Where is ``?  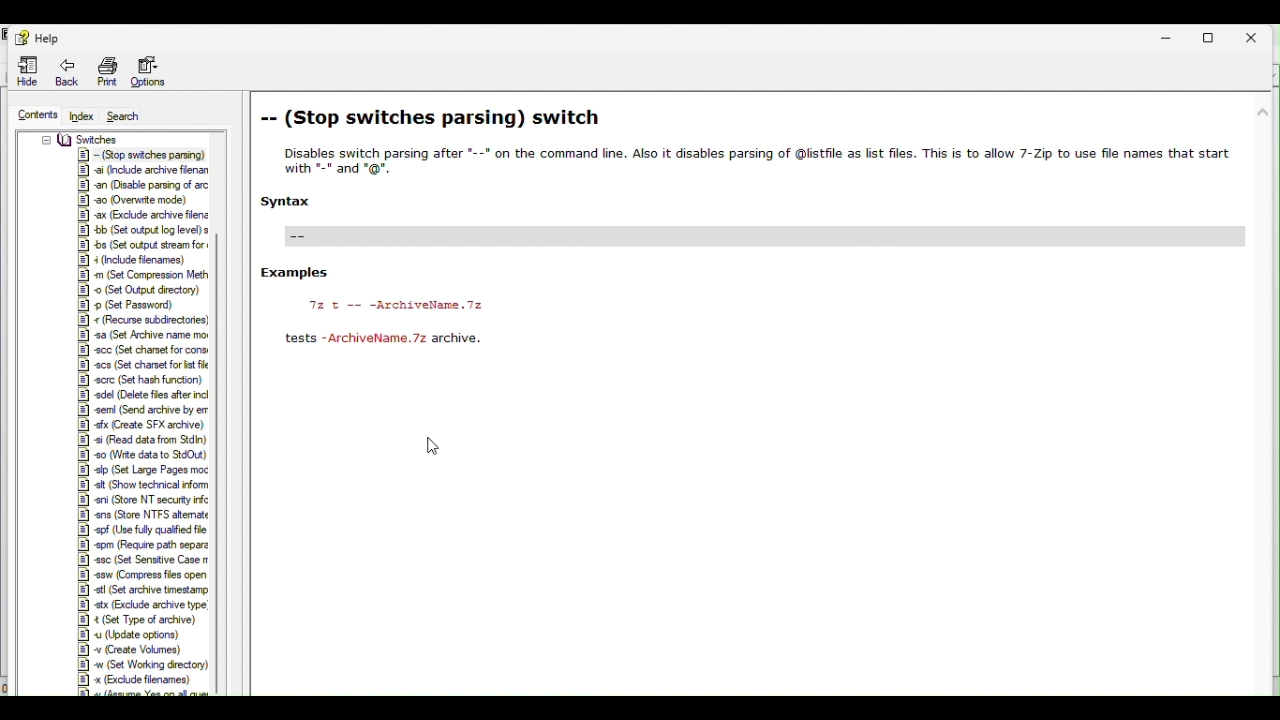  is located at coordinates (145, 409).